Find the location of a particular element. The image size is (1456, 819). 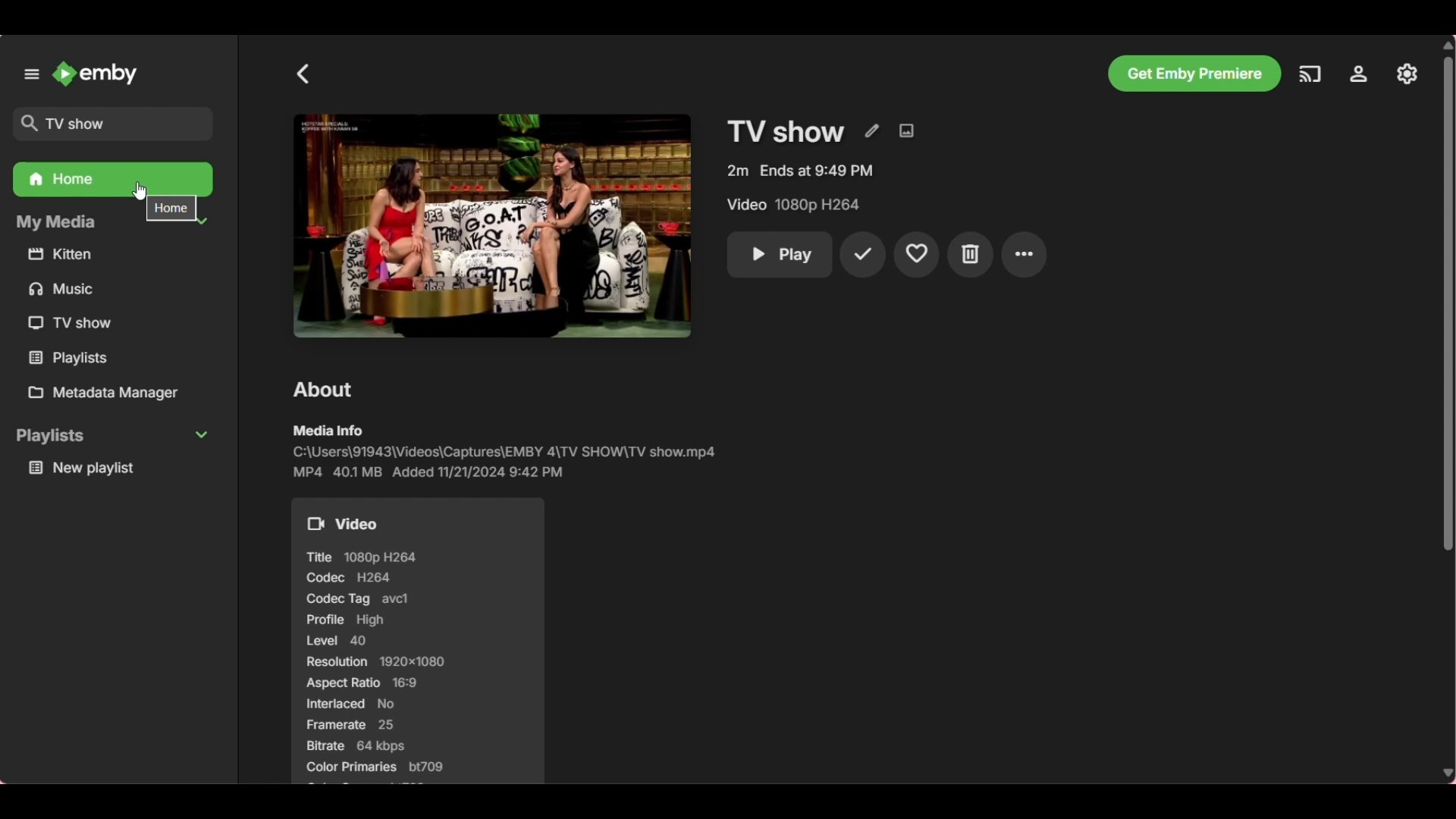

Manage Emby server is located at coordinates (1360, 74).